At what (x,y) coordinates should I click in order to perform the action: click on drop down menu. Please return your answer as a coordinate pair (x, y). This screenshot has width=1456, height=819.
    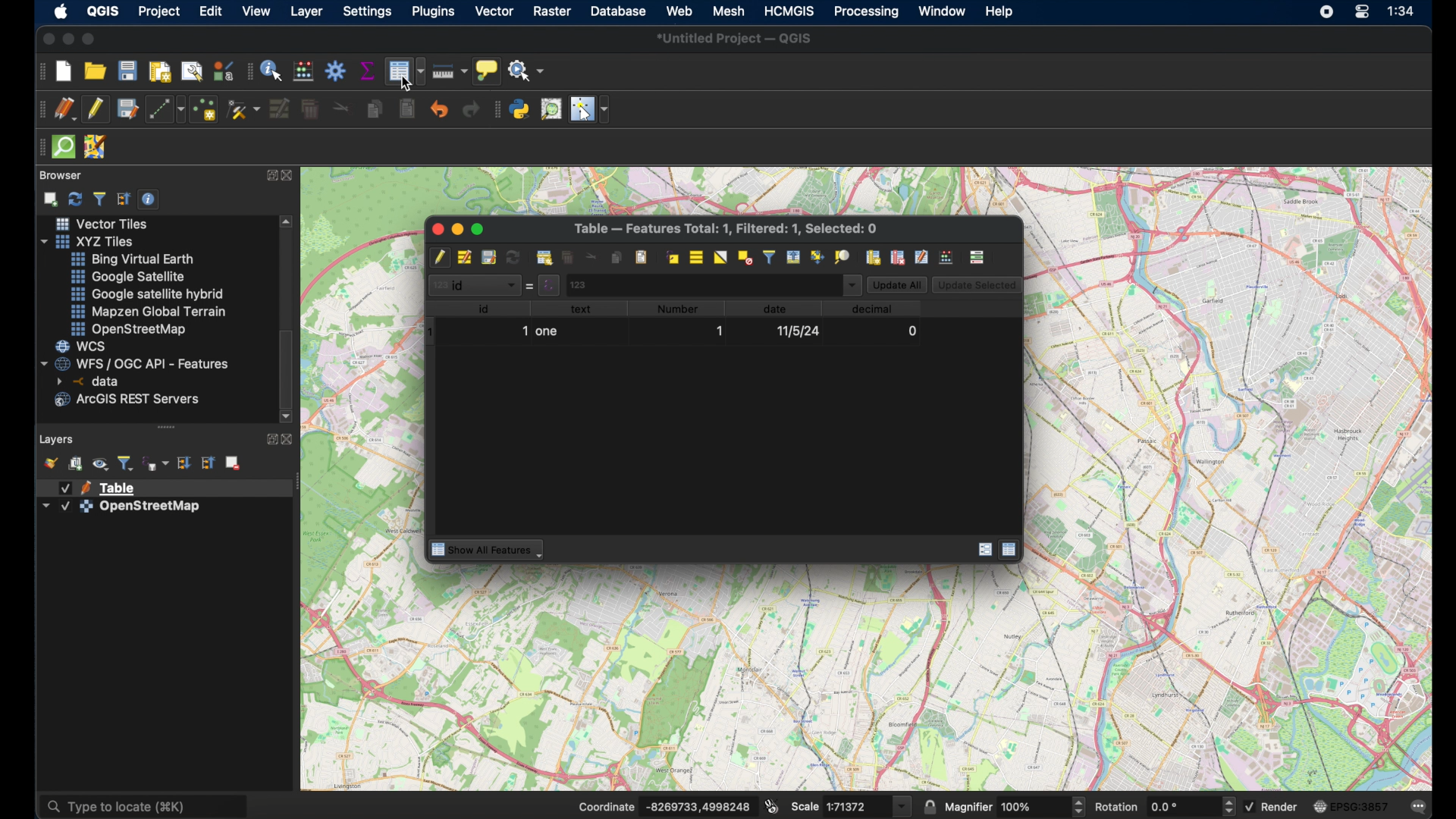
    Looking at the image, I should click on (852, 285).